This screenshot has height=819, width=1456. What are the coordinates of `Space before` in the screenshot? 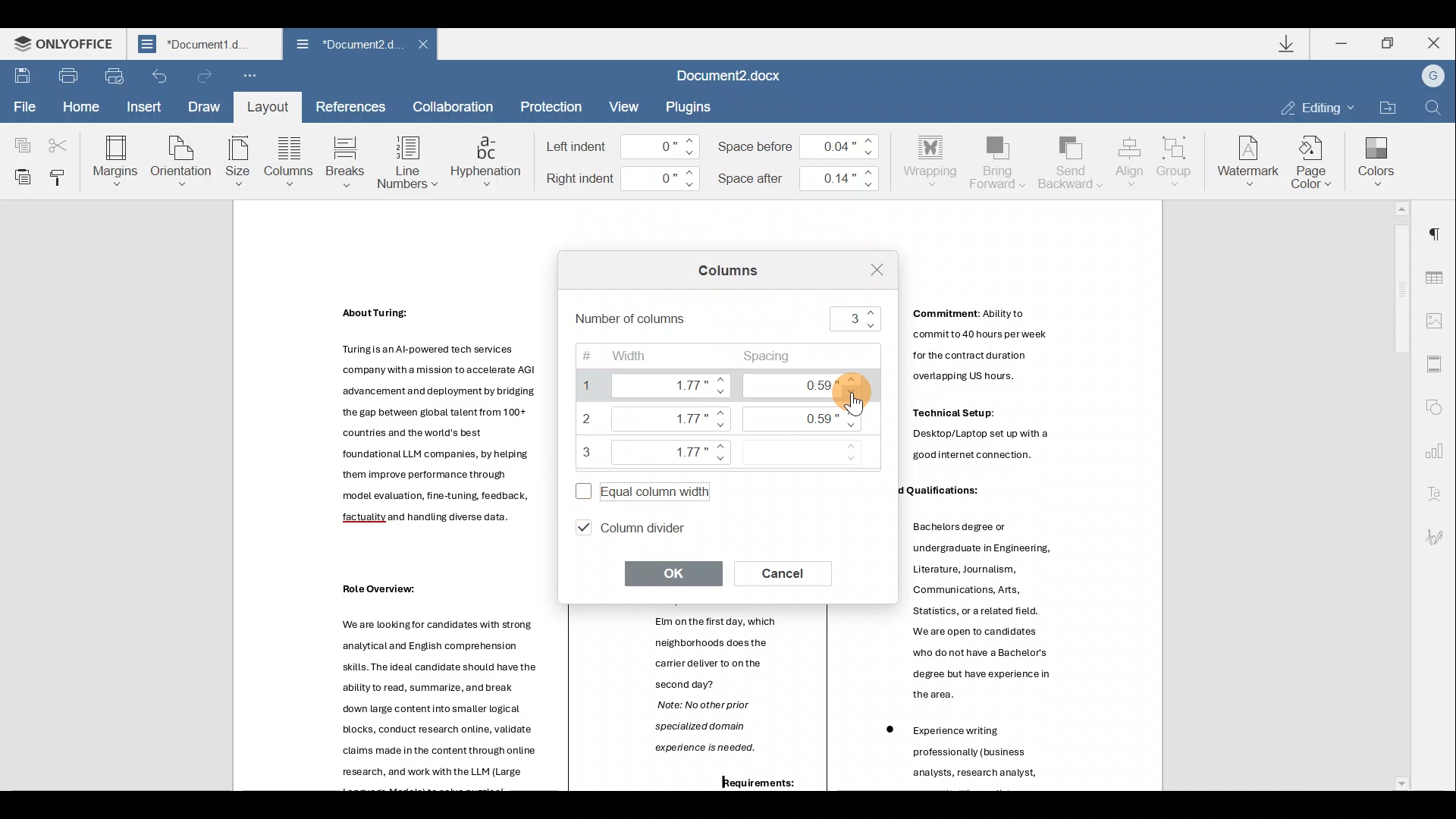 It's located at (804, 143).